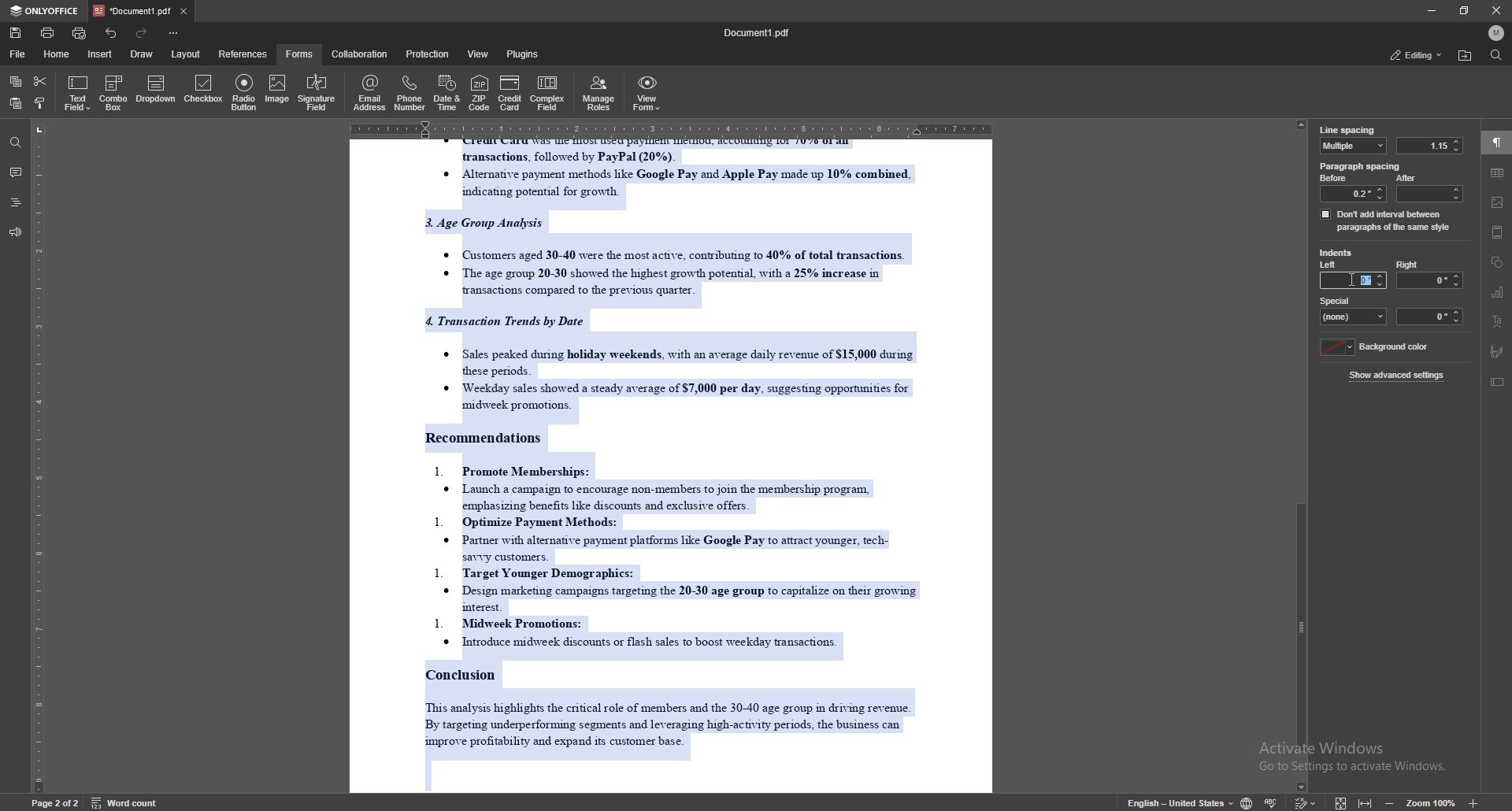  I want to click on onlyoffice, so click(47, 11).